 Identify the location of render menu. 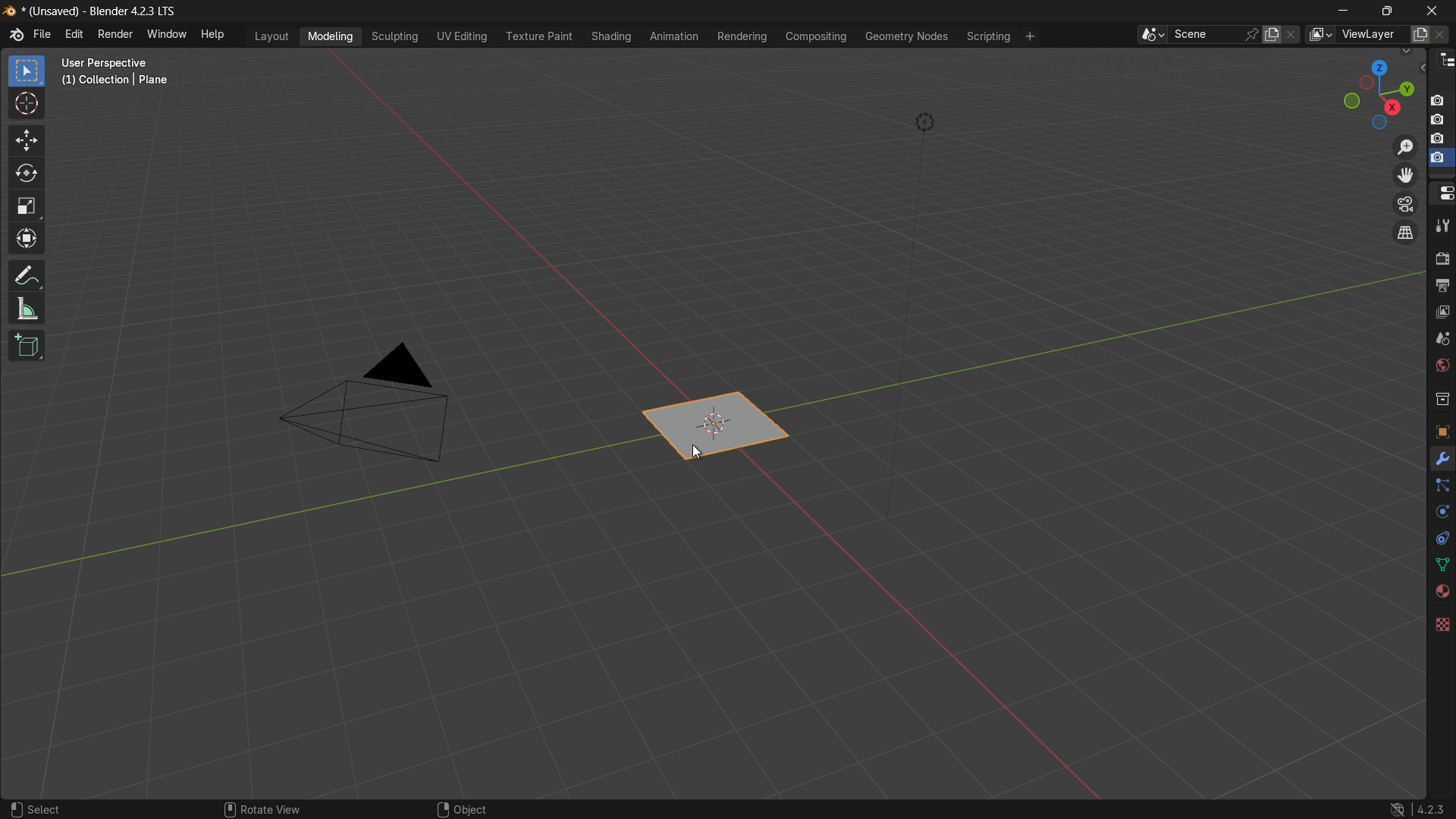
(117, 36).